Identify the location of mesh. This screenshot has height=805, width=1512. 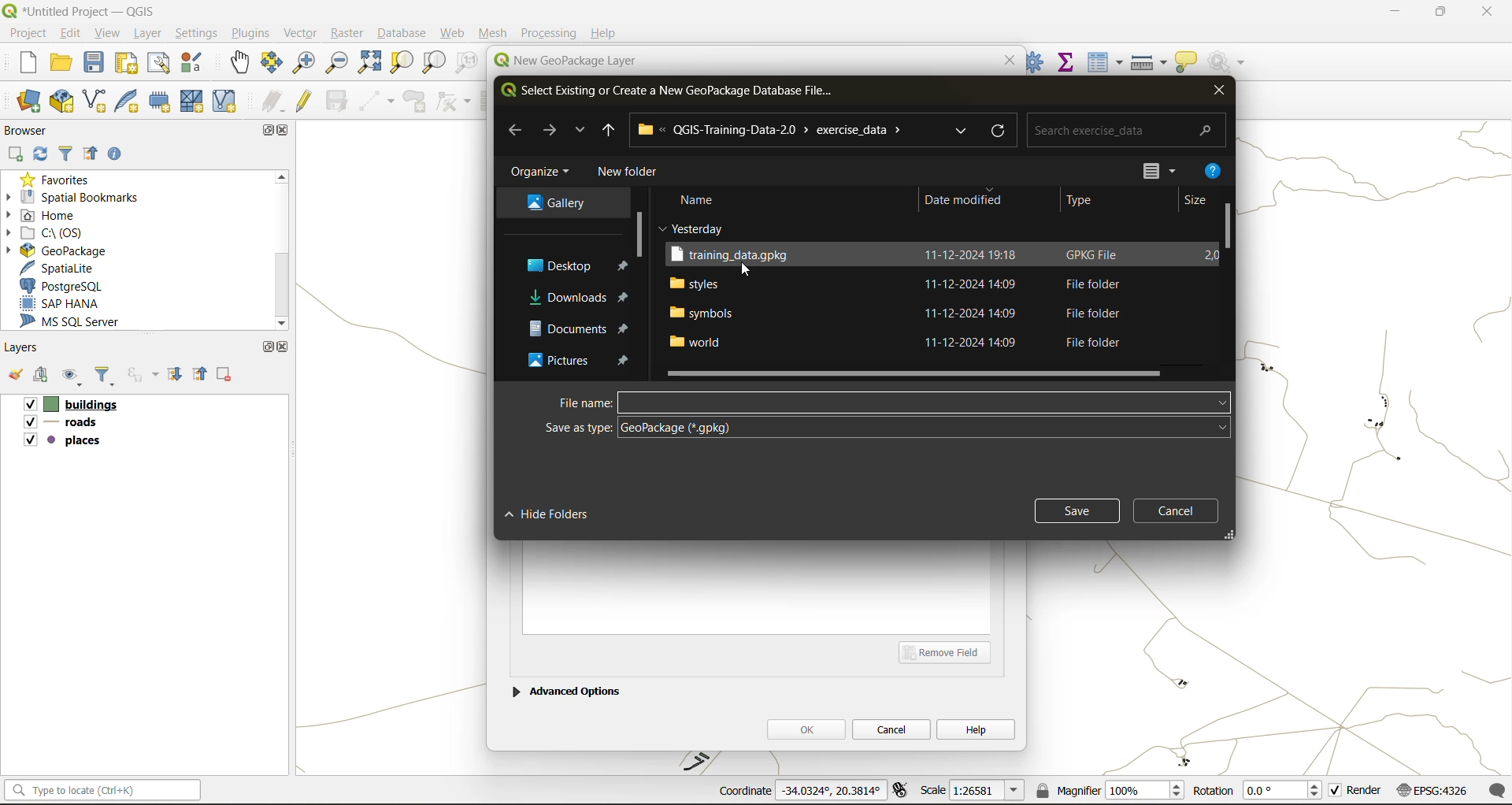
(194, 101).